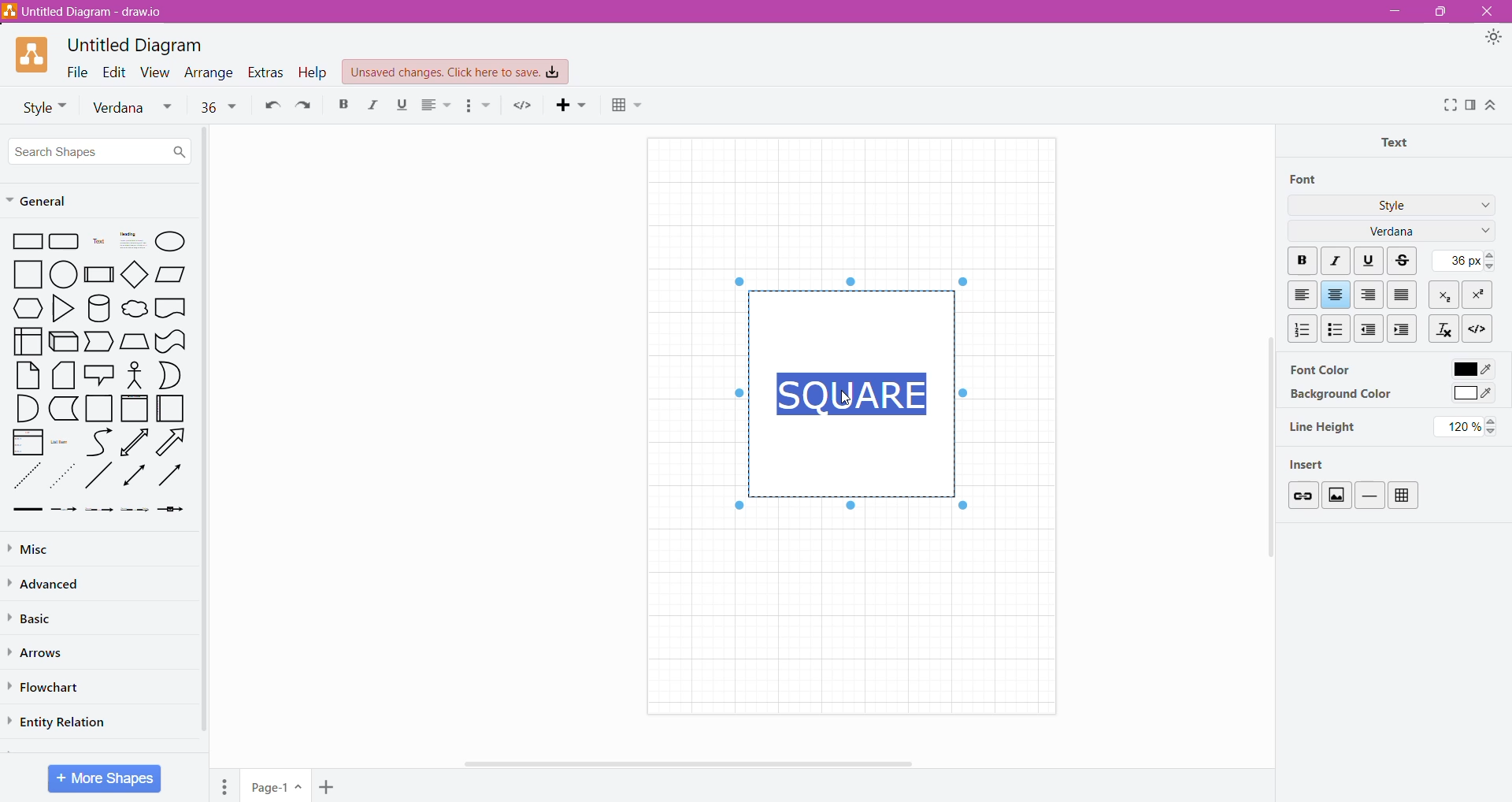  Describe the element at coordinates (61, 408) in the screenshot. I see `L-Shaped Rectangle` at that location.